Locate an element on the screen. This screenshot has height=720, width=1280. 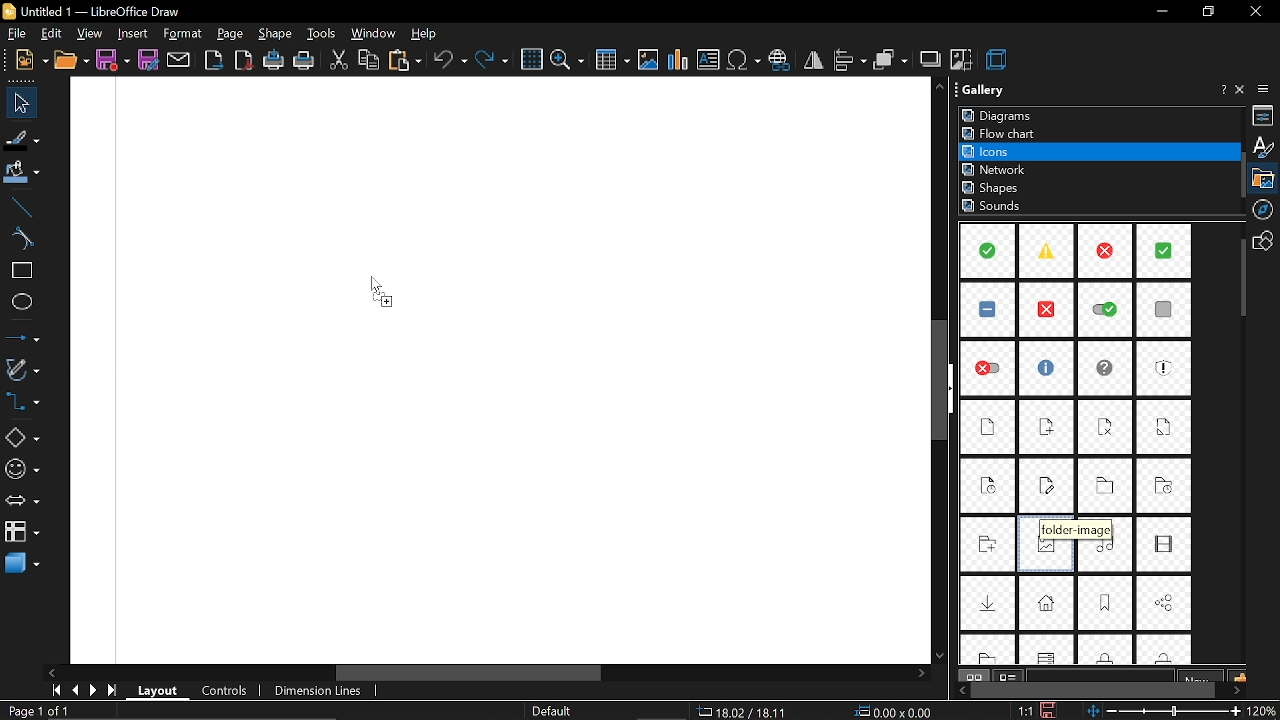
shapes  is located at coordinates (994, 188).